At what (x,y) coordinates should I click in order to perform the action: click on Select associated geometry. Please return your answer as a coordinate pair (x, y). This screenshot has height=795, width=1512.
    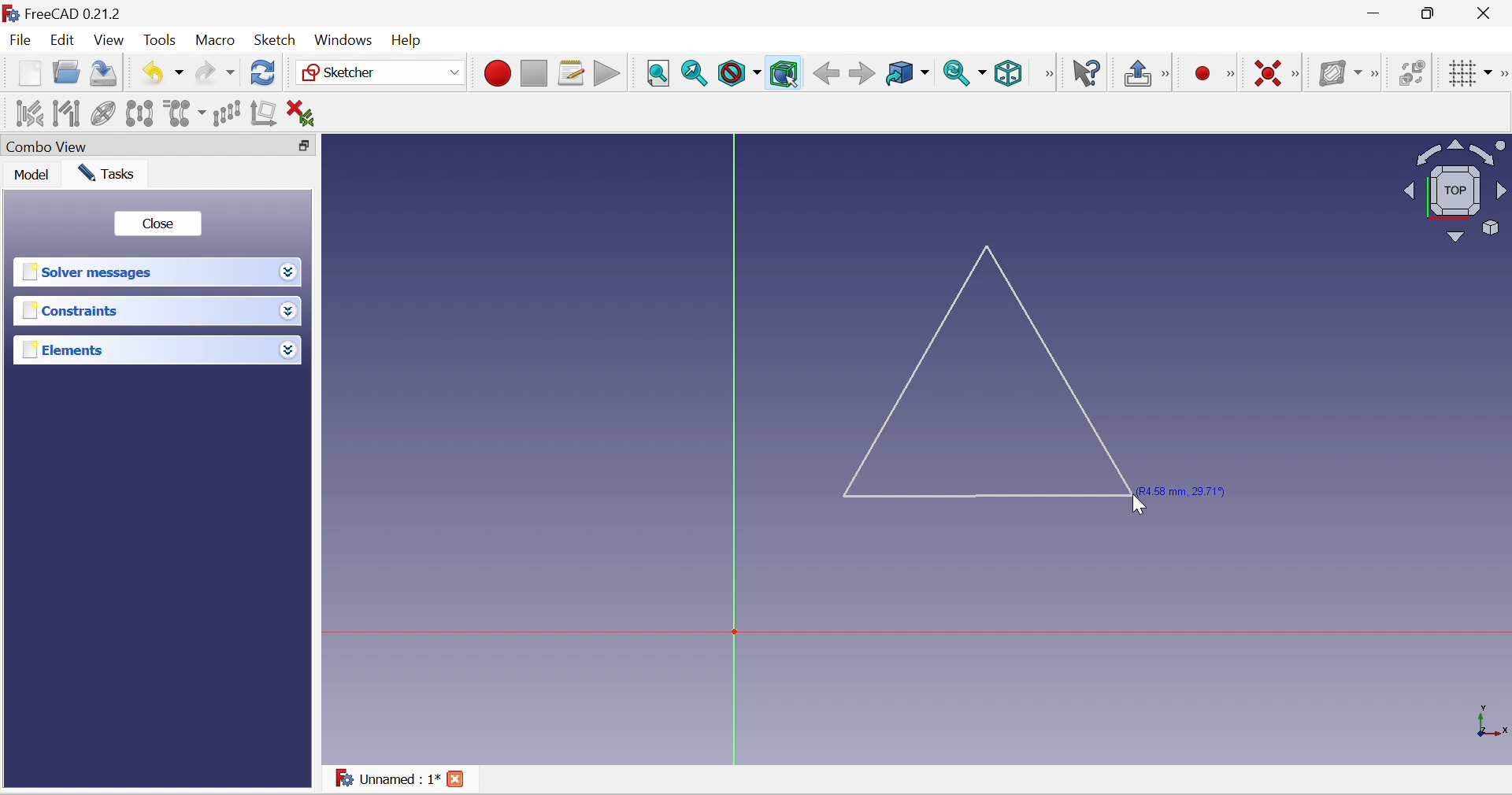
    Looking at the image, I should click on (66, 113).